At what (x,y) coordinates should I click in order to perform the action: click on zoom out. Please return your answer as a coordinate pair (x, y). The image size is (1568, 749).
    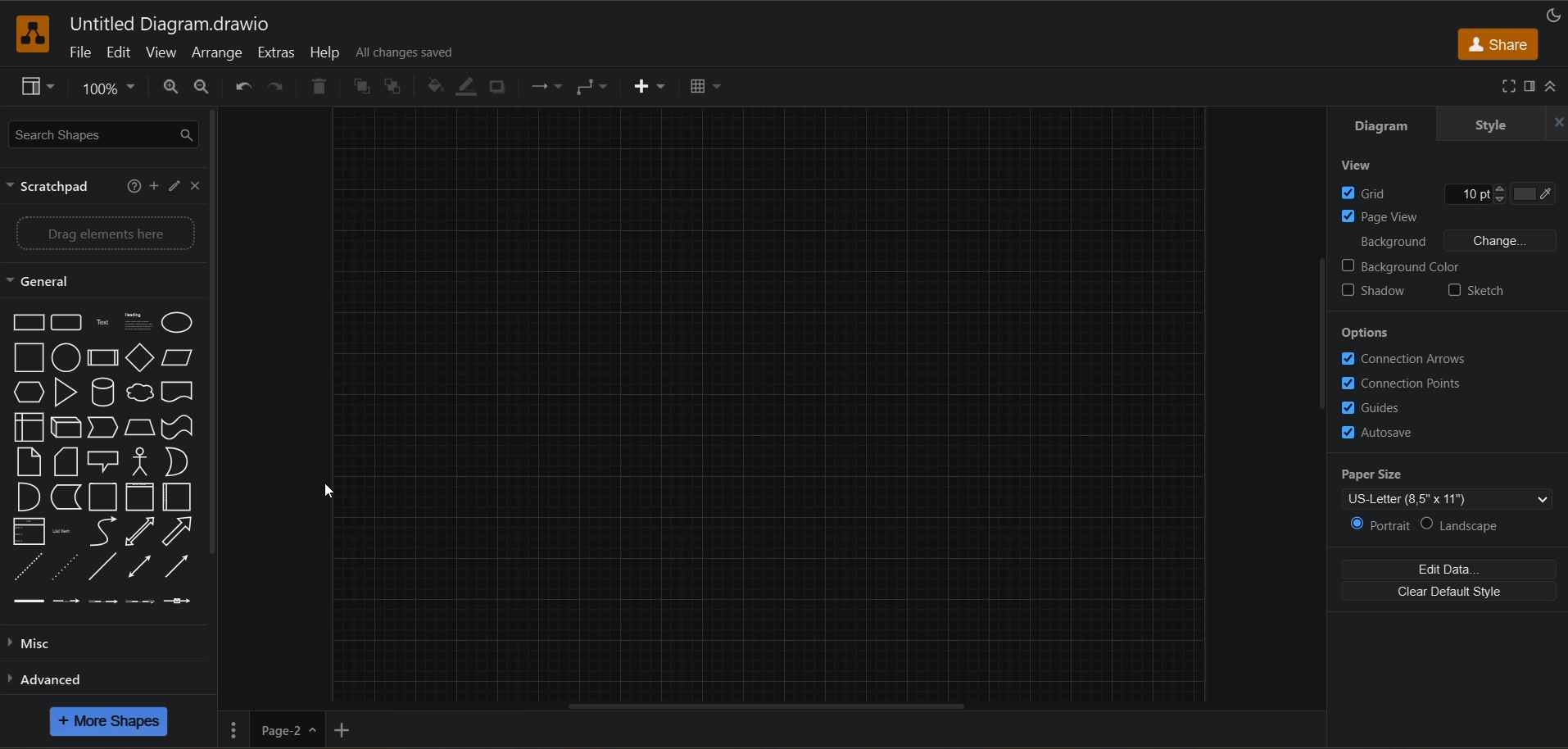
    Looking at the image, I should click on (201, 87).